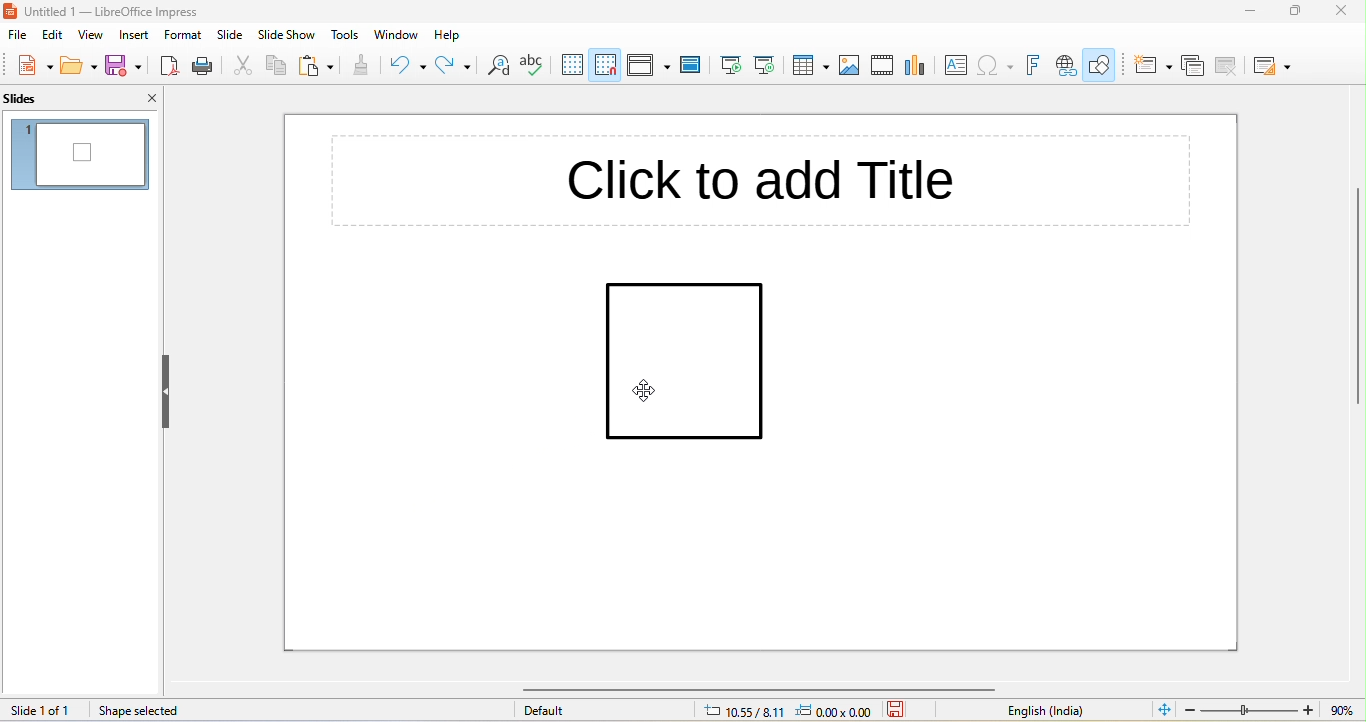 Image resolution: width=1366 pixels, height=722 pixels. I want to click on file, so click(15, 36).